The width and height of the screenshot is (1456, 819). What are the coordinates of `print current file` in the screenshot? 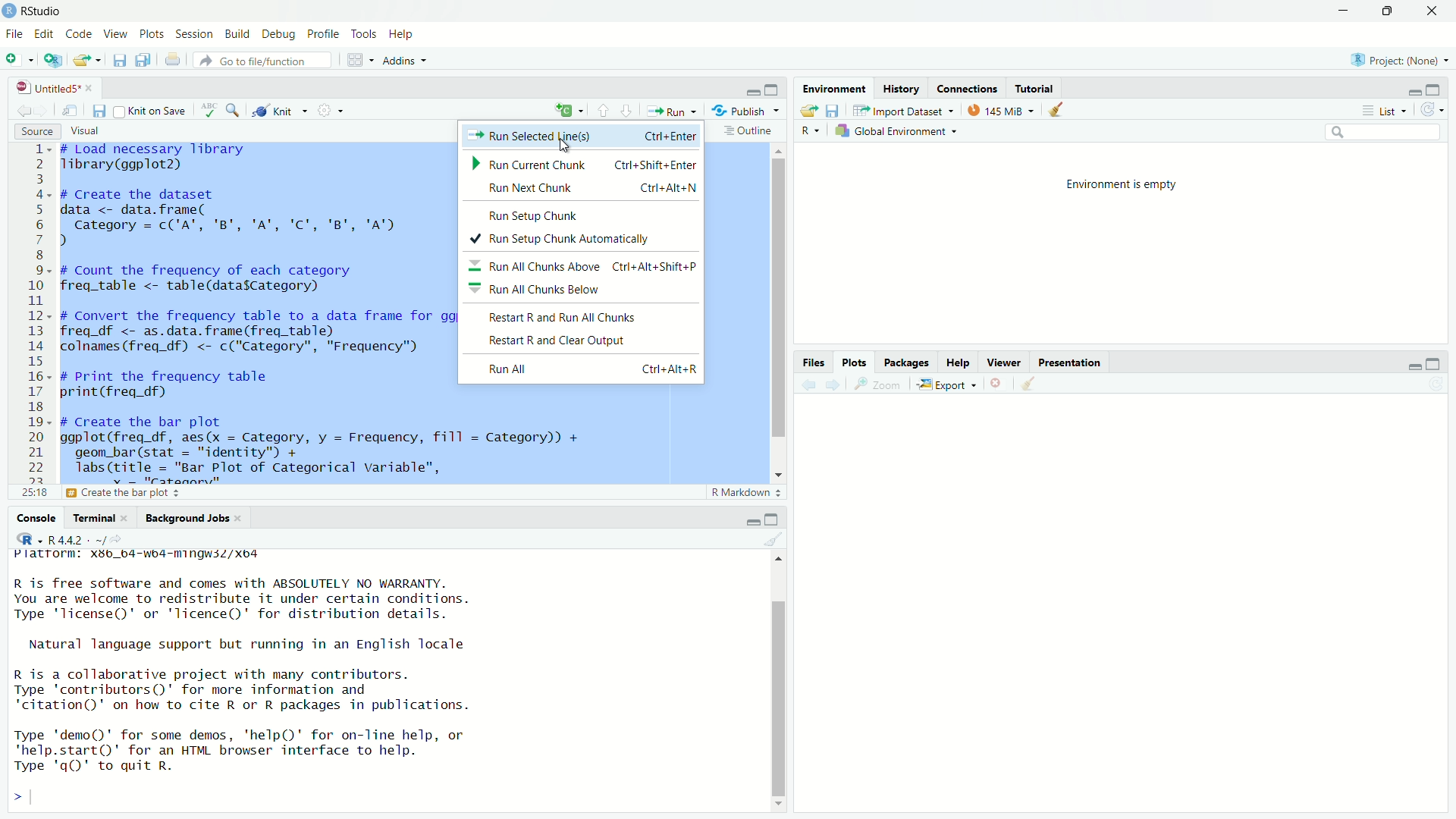 It's located at (175, 61).